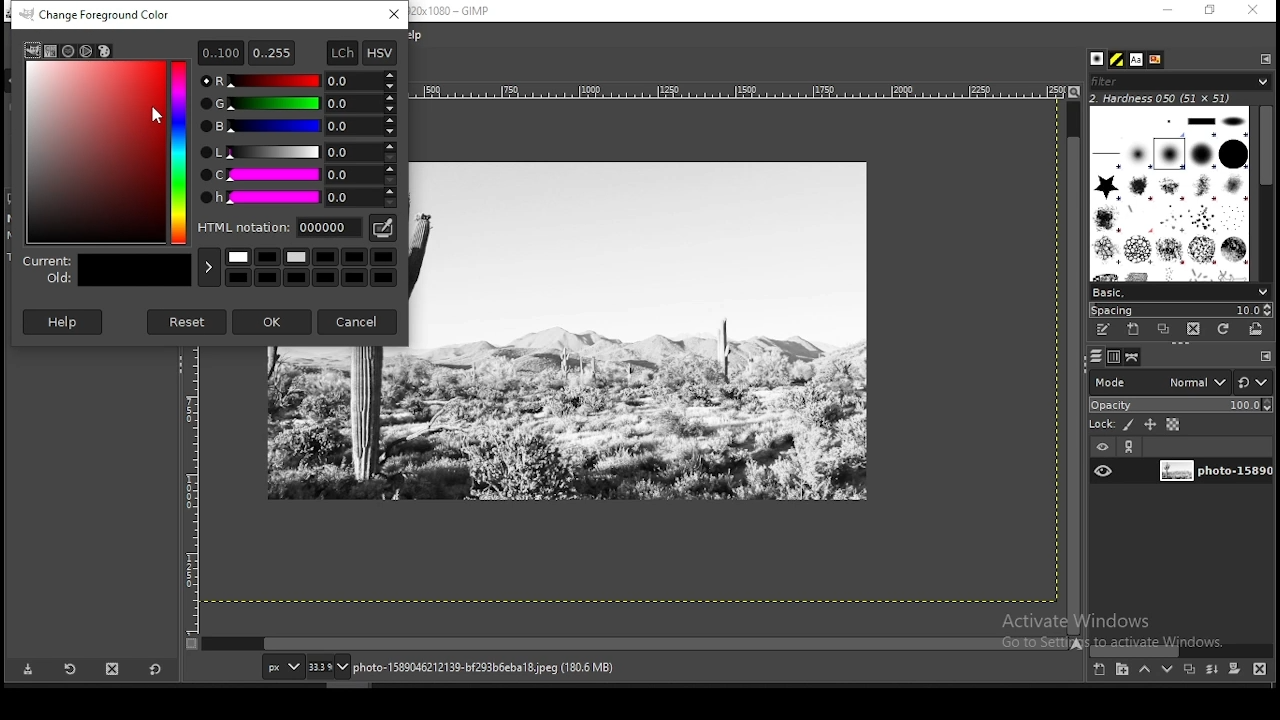  I want to click on merge layer, so click(1214, 669).